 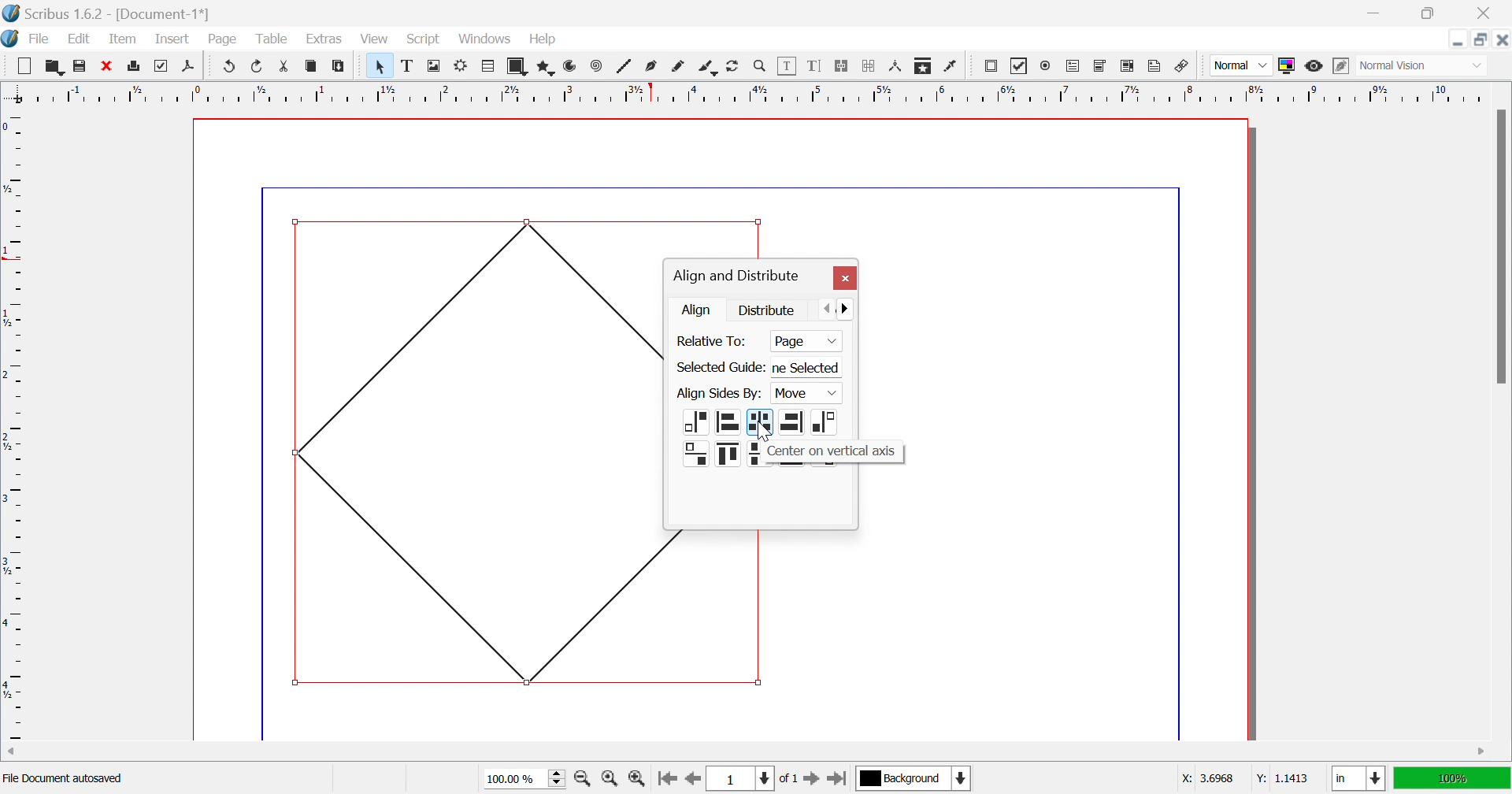 What do you see at coordinates (666, 783) in the screenshot?
I see `Go to the first page` at bounding box center [666, 783].